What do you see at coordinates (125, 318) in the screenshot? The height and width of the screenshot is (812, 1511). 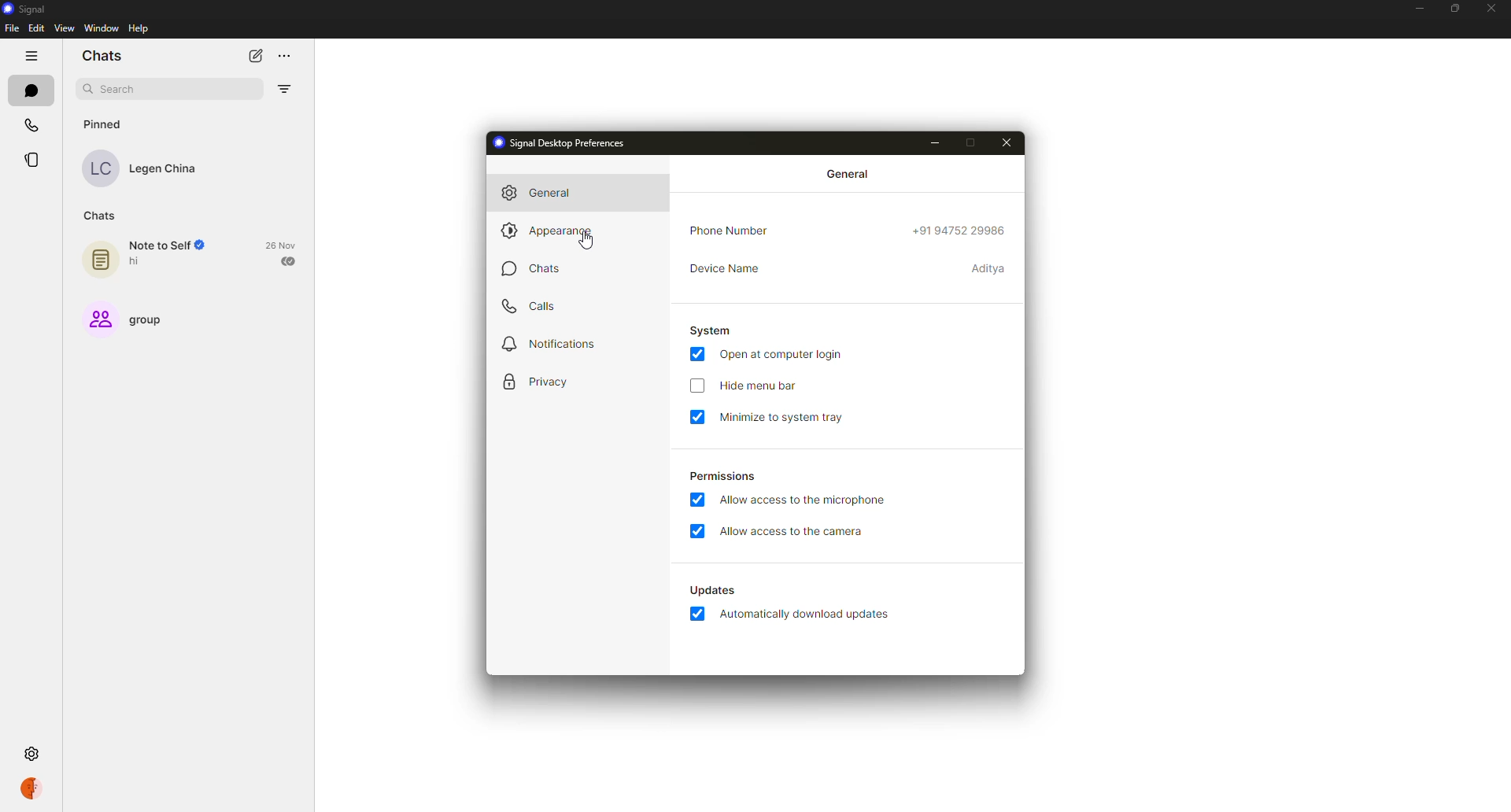 I see `group` at bounding box center [125, 318].